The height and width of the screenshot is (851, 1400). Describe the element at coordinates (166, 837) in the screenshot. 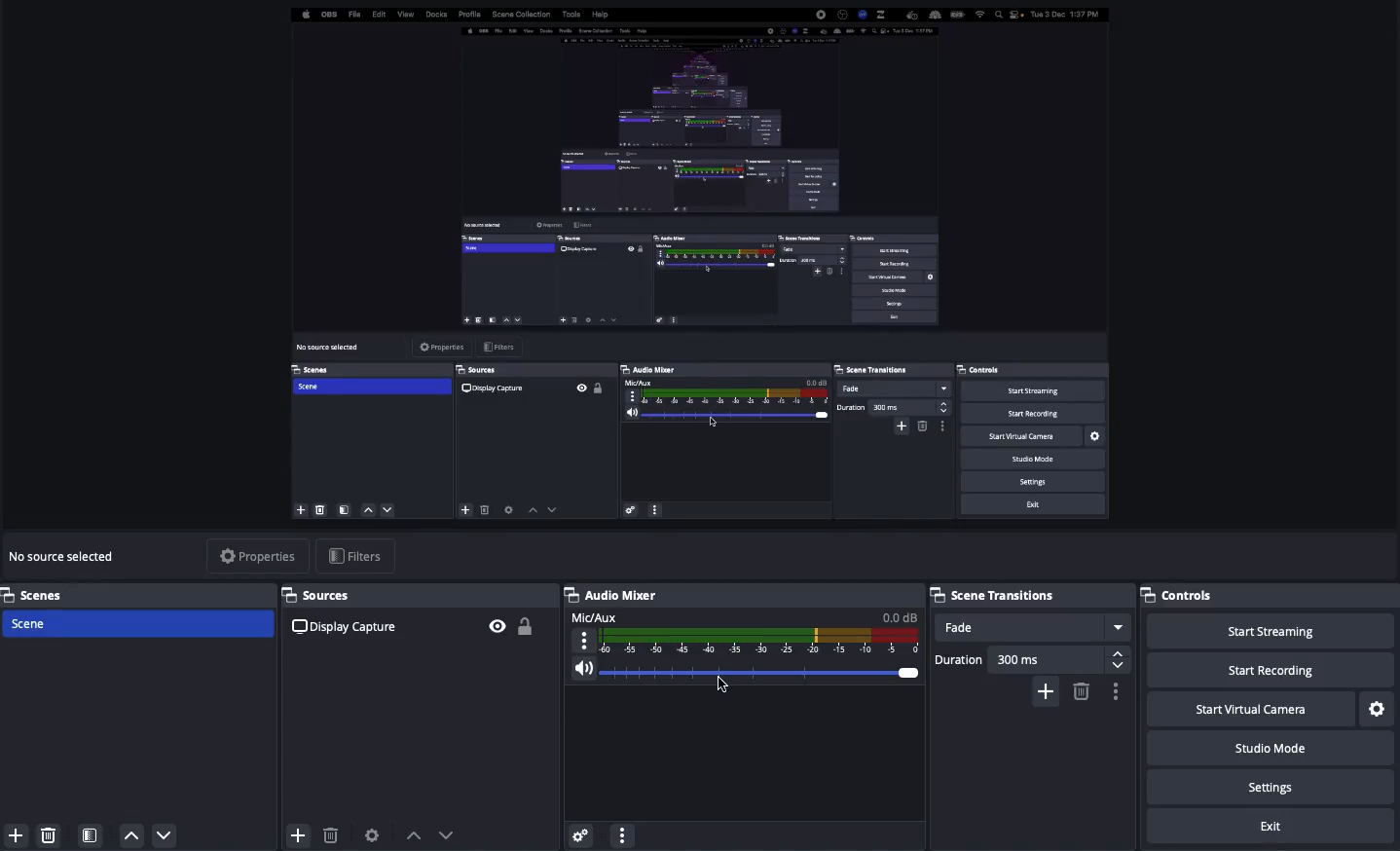

I see `Down` at that location.